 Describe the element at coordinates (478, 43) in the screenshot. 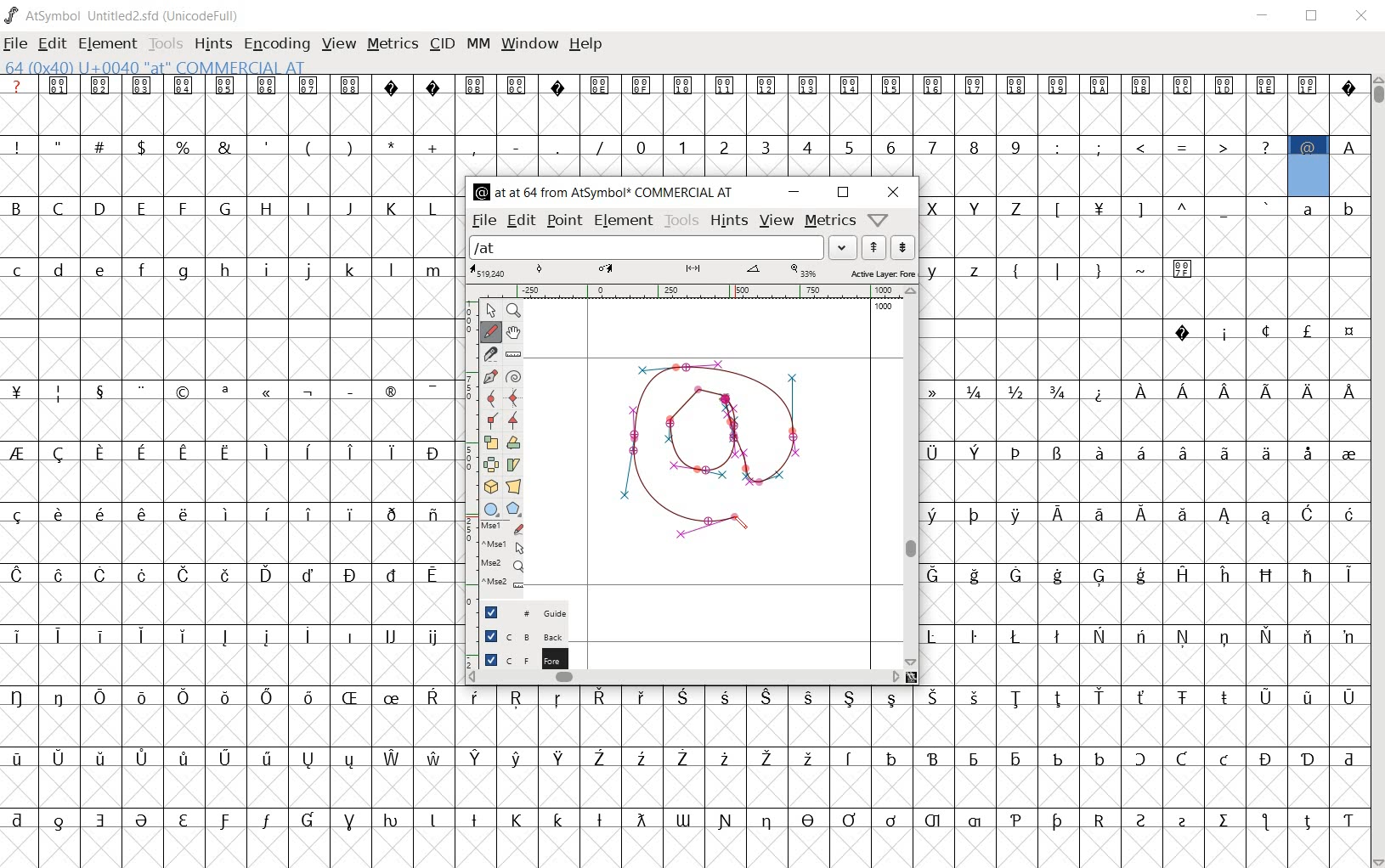

I see `MM` at that location.